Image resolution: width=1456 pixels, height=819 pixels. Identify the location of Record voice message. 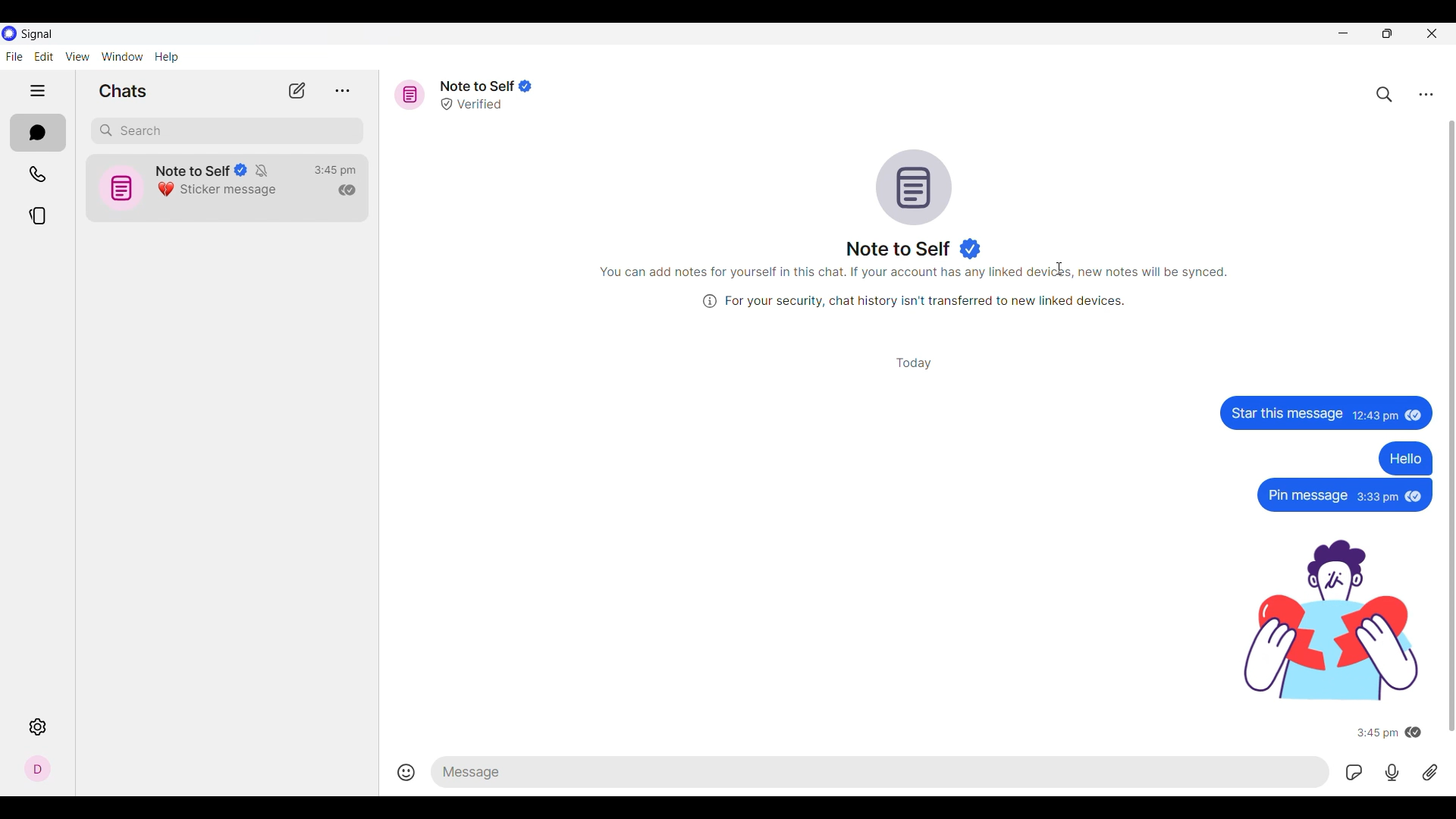
(1392, 772).